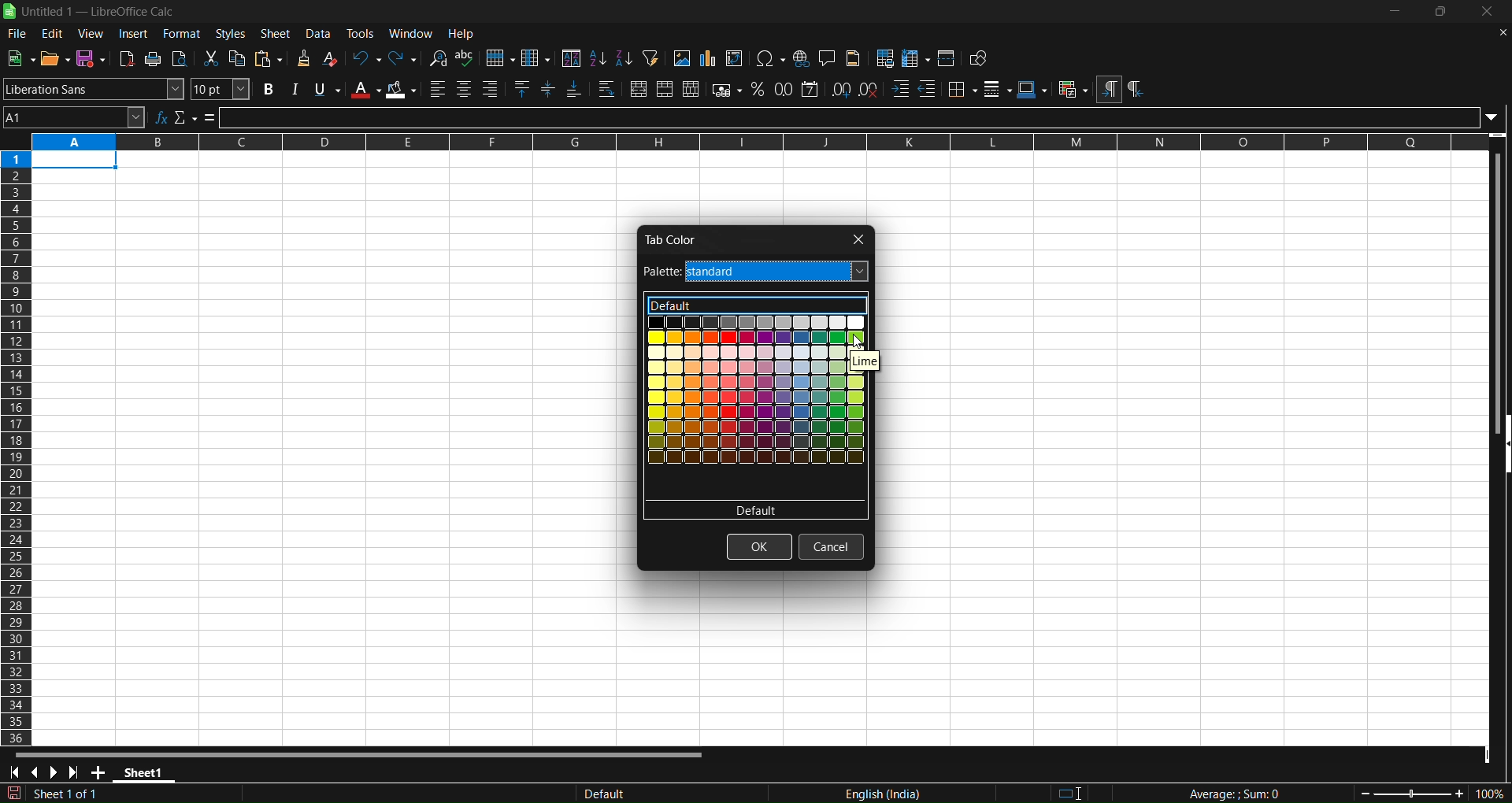  What do you see at coordinates (861, 342) in the screenshot?
I see `click lime color` at bounding box center [861, 342].